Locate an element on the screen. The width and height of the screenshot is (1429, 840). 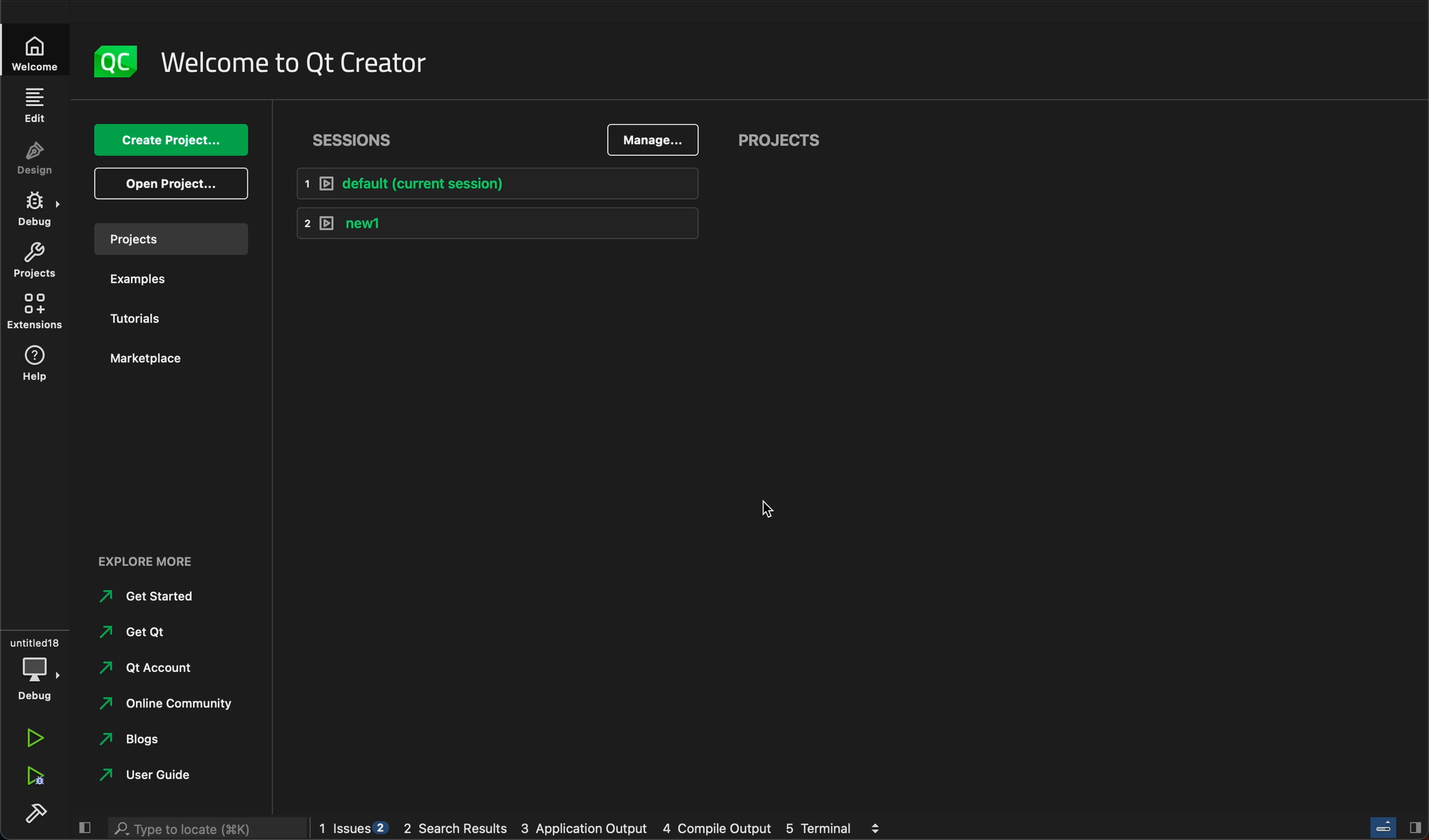
community is located at coordinates (166, 705).